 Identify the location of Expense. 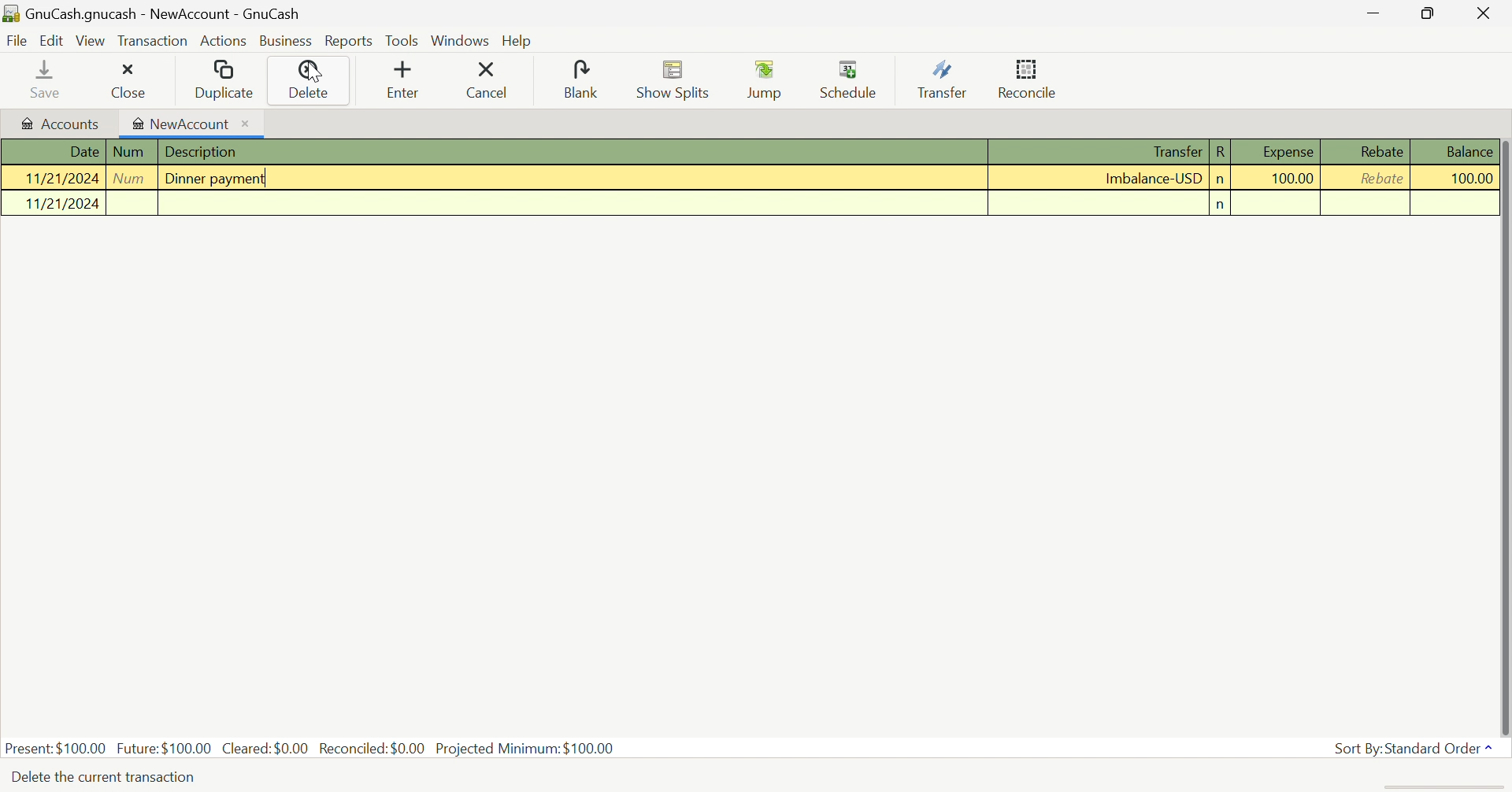
(1281, 152).